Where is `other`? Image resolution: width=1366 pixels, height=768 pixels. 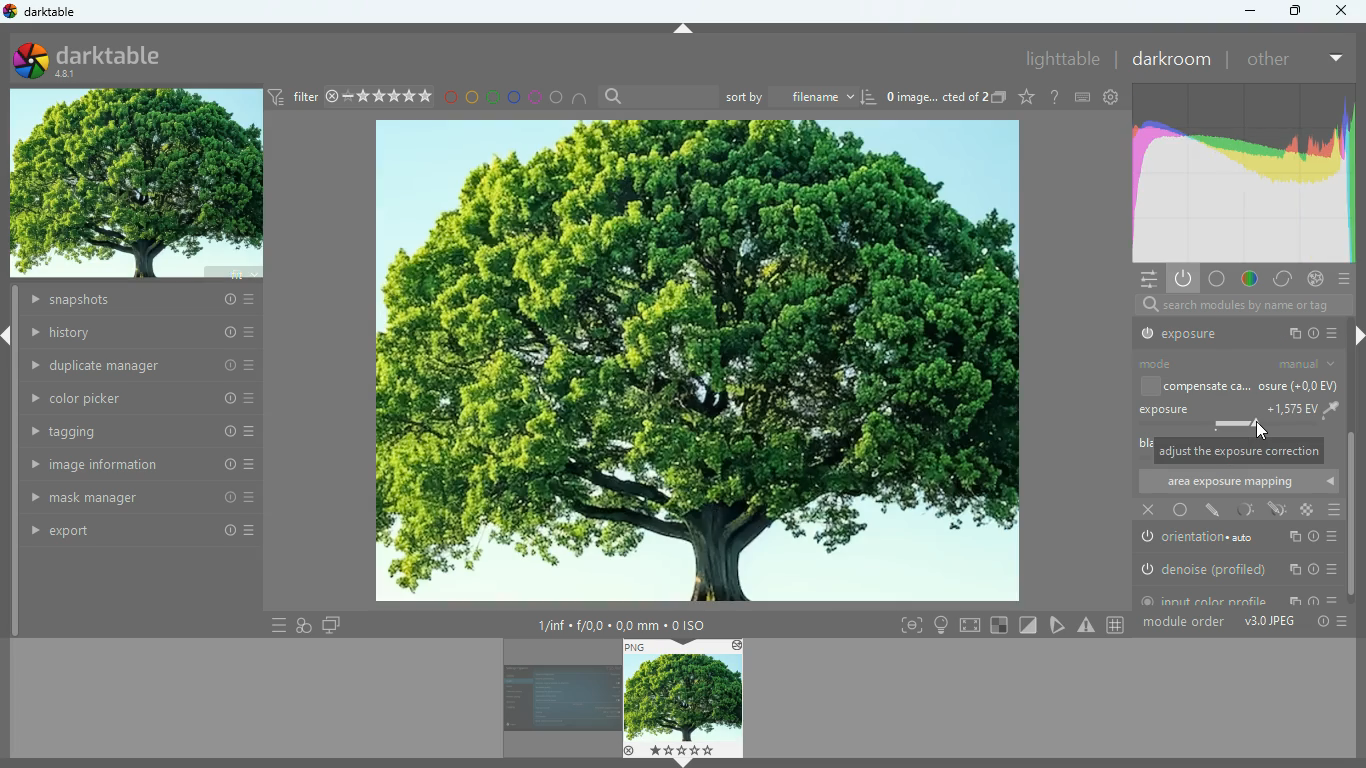 other is located at coordinates (1270, 61).